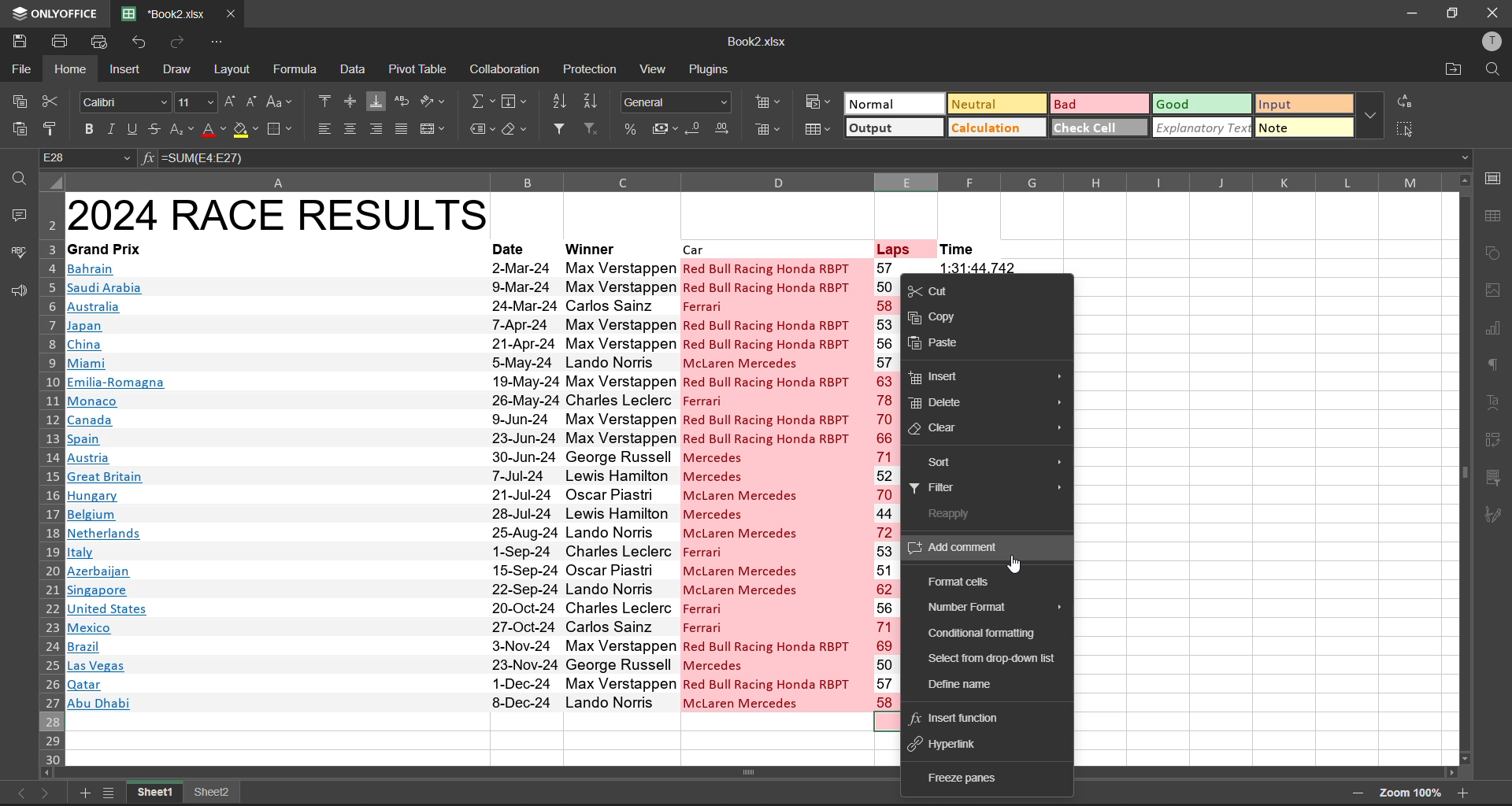 This screenshot has height=806, width=1512. Describe the element at coordinates (951, 744) in the screenshot. I see `hyperlink` at that location.